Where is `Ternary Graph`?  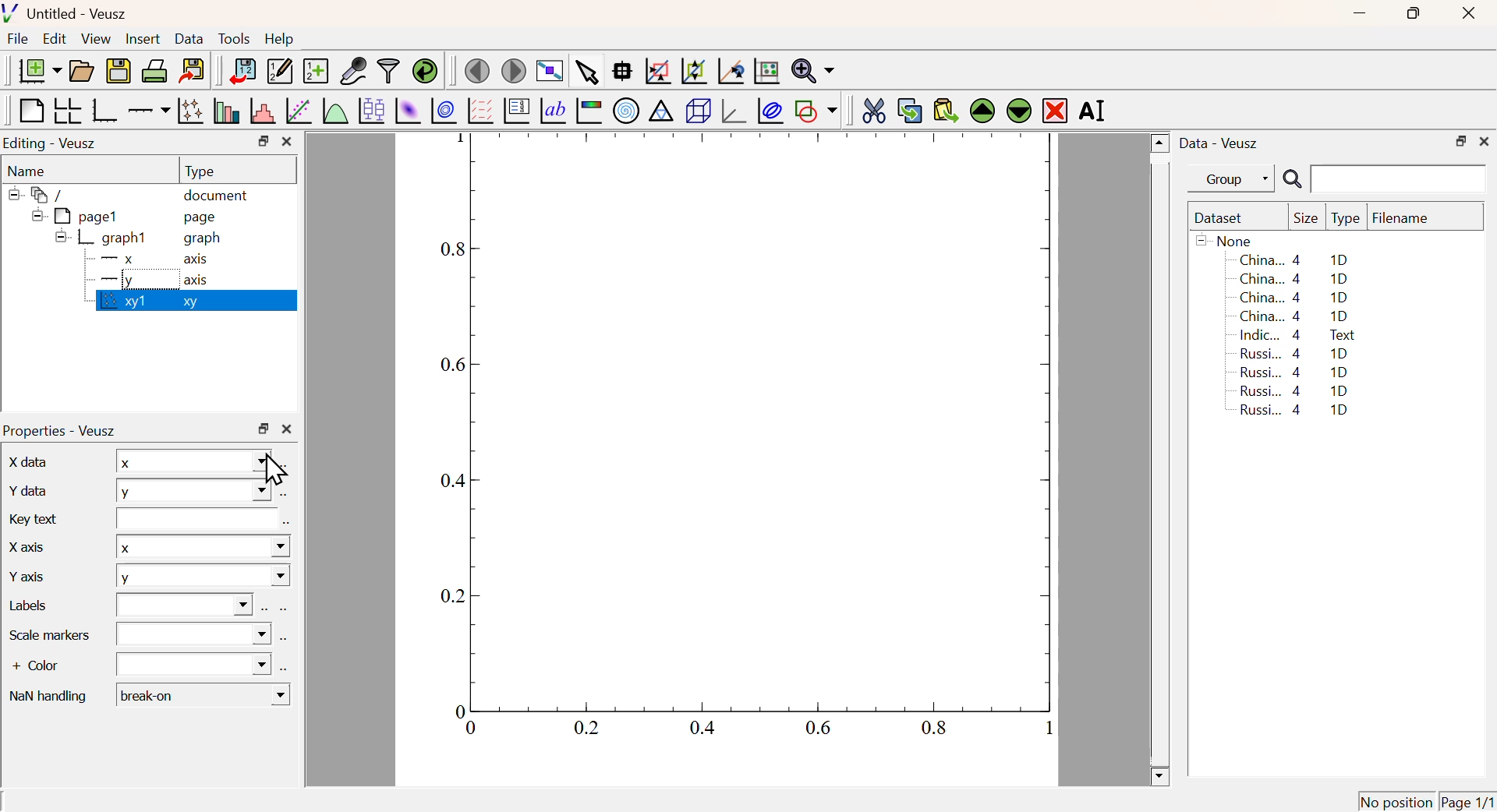 Ternary Graph is located at coordinates (660, 110).